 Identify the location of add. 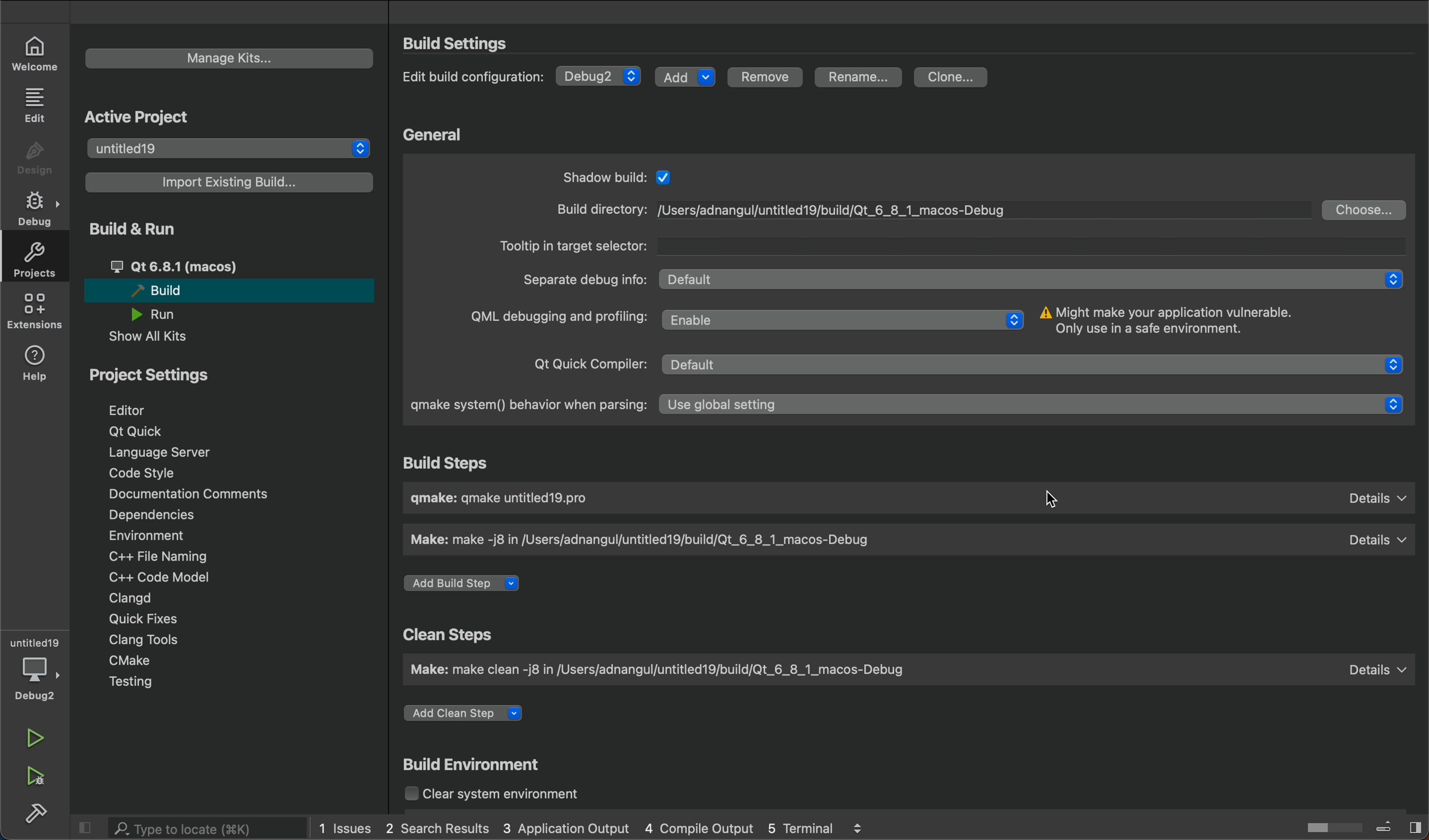
(683, 75).